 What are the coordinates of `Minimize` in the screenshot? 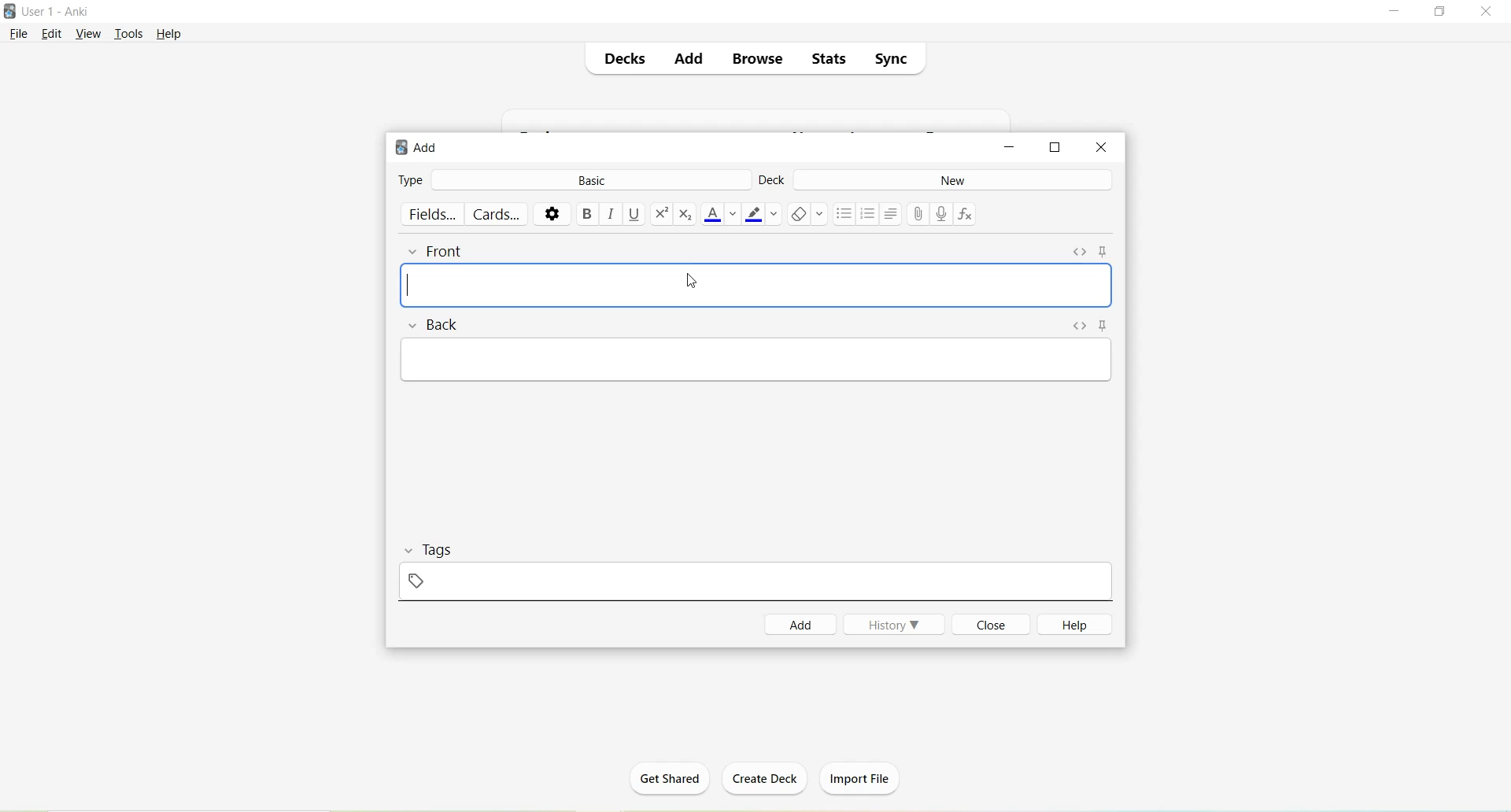 It's located at (1397, 13).